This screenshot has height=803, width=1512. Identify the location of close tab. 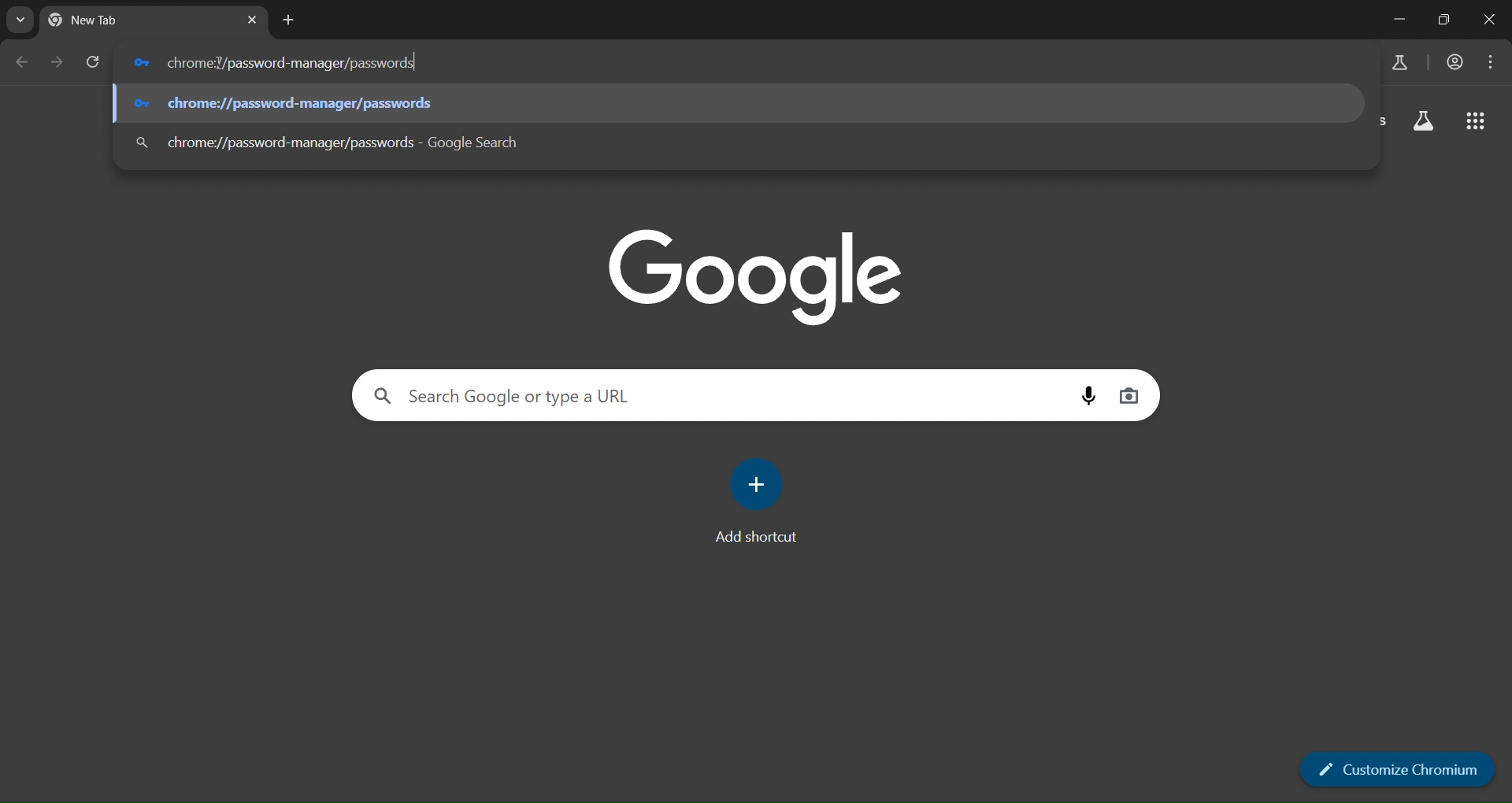
(254, 22).